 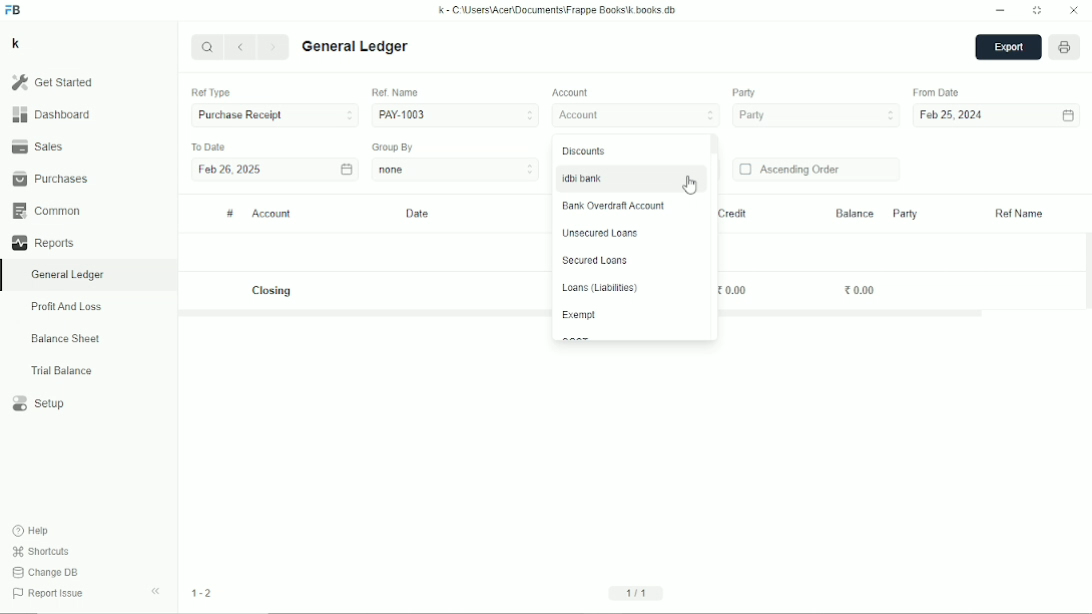 What do you see at coordinates (394, 147) in the screenshot?
I see `Group by` at bounding box center [394, 147].